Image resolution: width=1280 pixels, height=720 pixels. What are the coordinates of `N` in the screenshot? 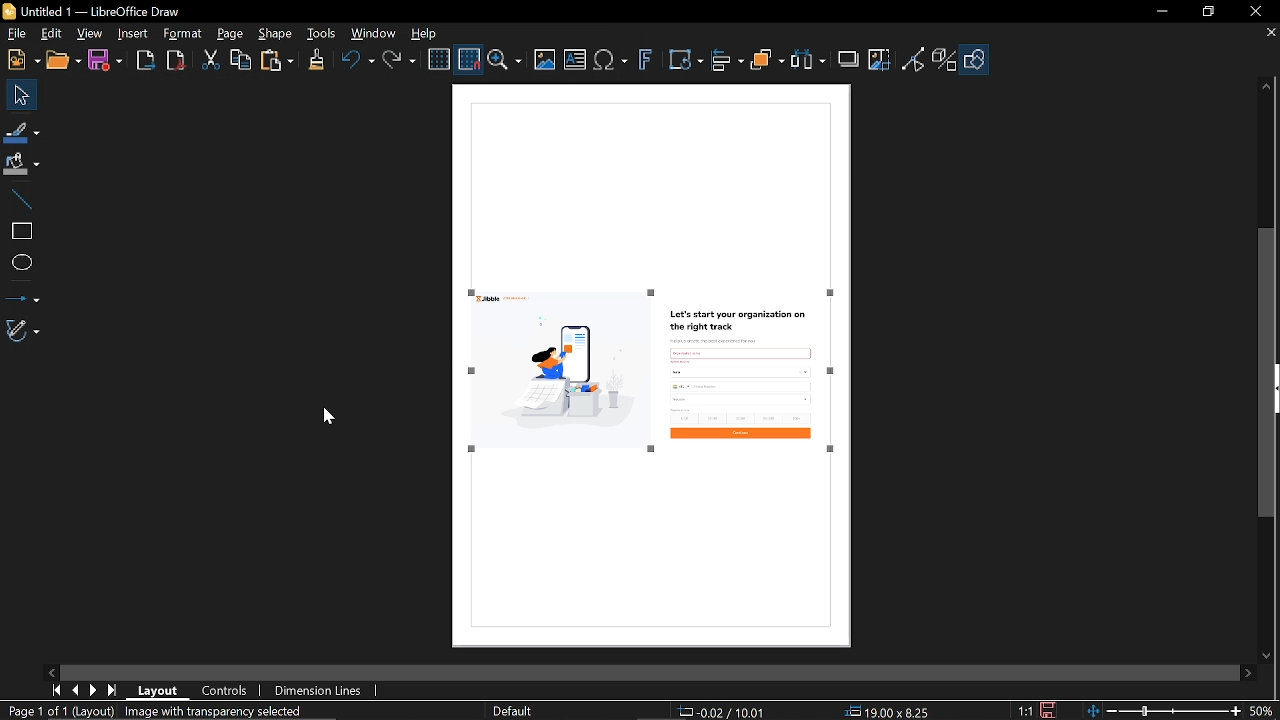 It's located at (22, 61).